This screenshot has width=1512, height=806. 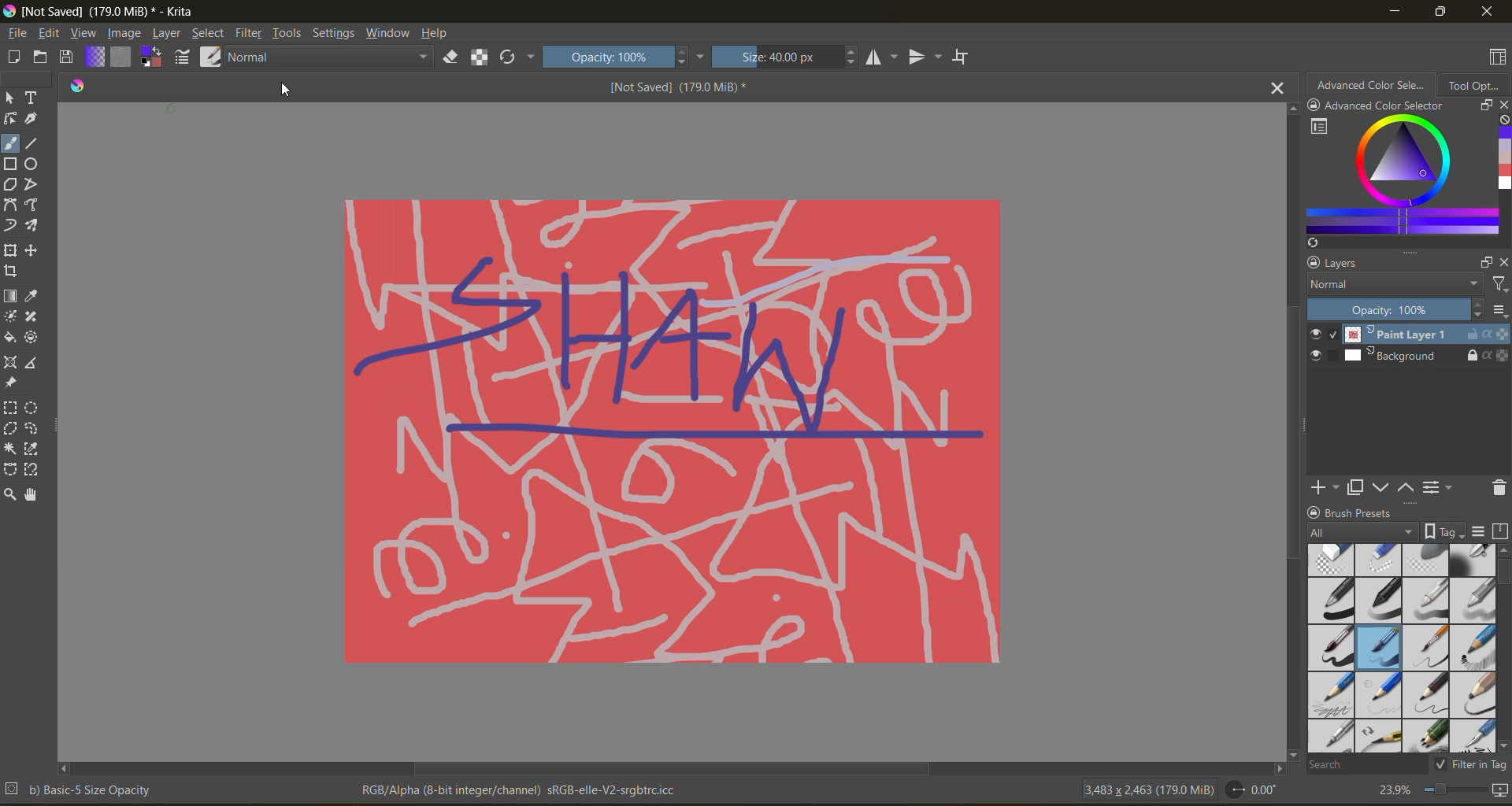 I want to click on map canvas, so click(x=1499, y=792).